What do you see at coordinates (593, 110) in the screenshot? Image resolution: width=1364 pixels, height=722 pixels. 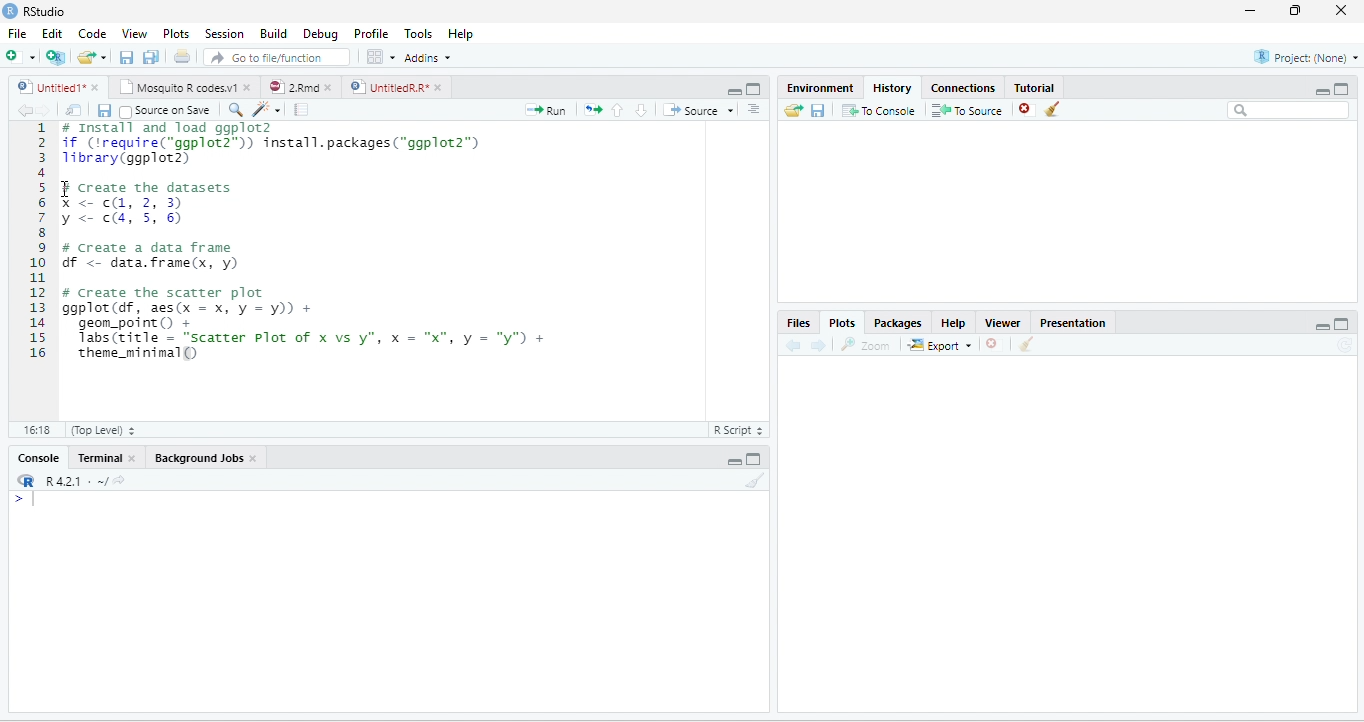 I see `Re-run the previous code region` at bounding box center [593, 110].